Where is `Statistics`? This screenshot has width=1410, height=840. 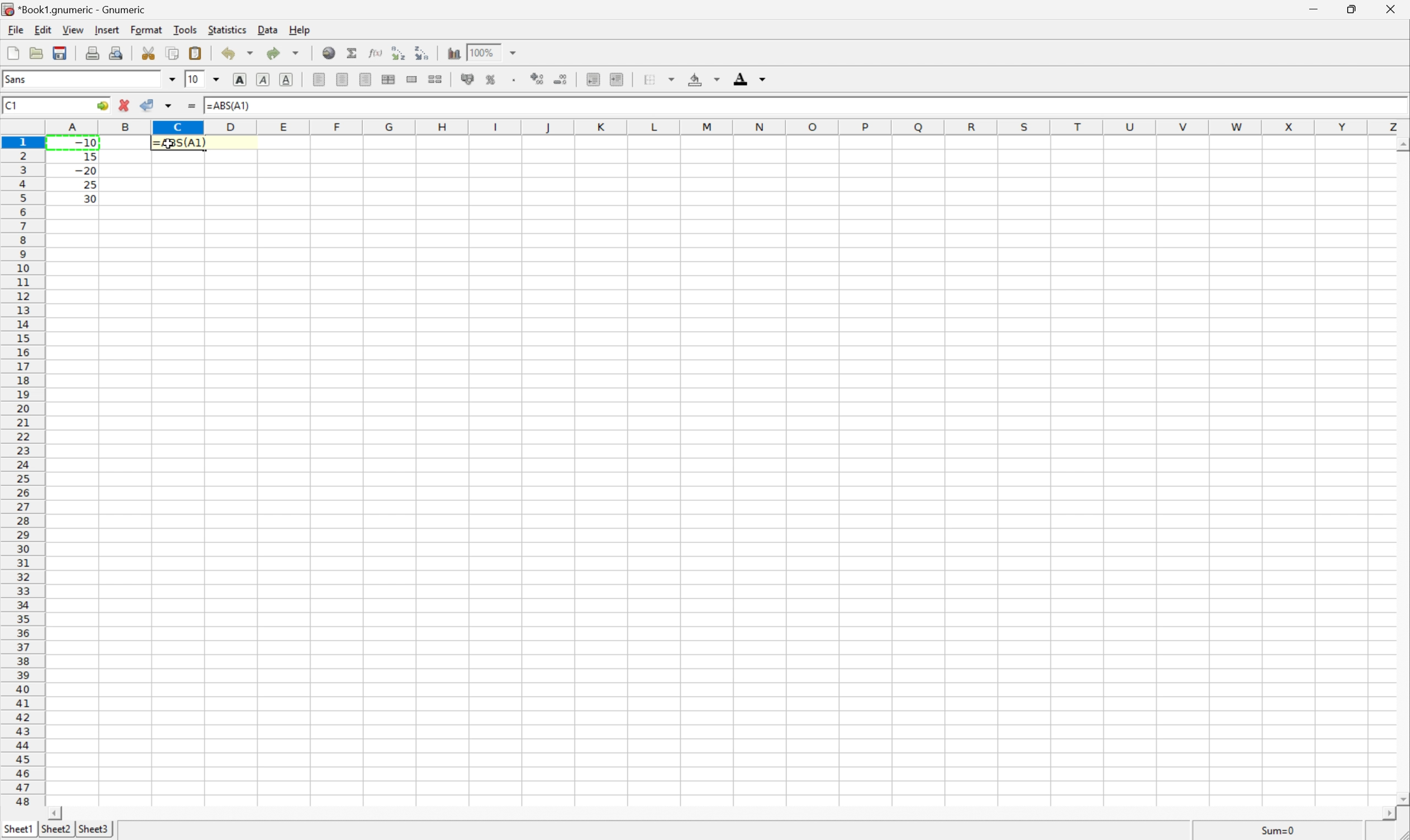
Statistics is located at coordinates (226, 30).